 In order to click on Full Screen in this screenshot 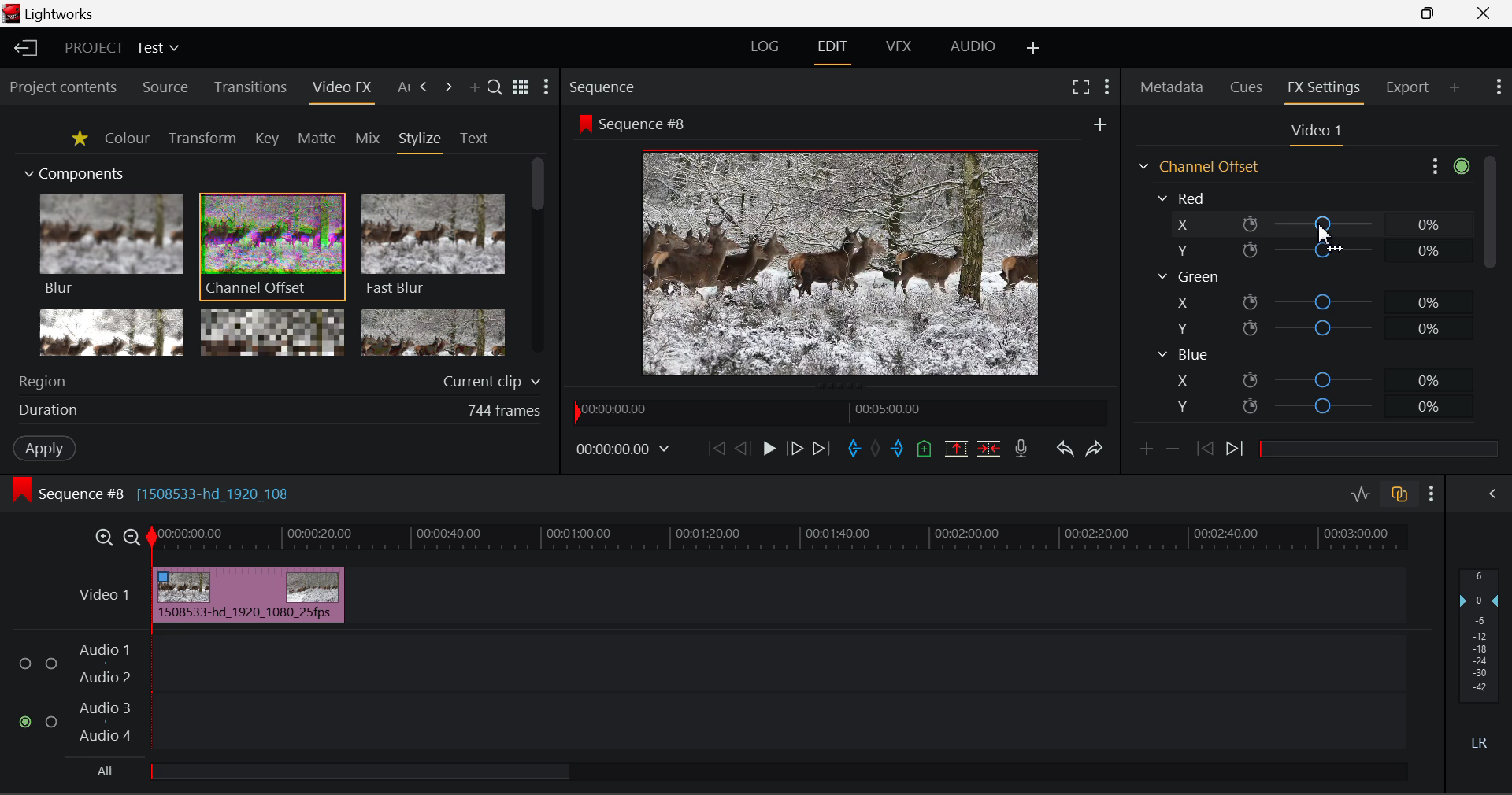, I will do `click(1079, 89)`.